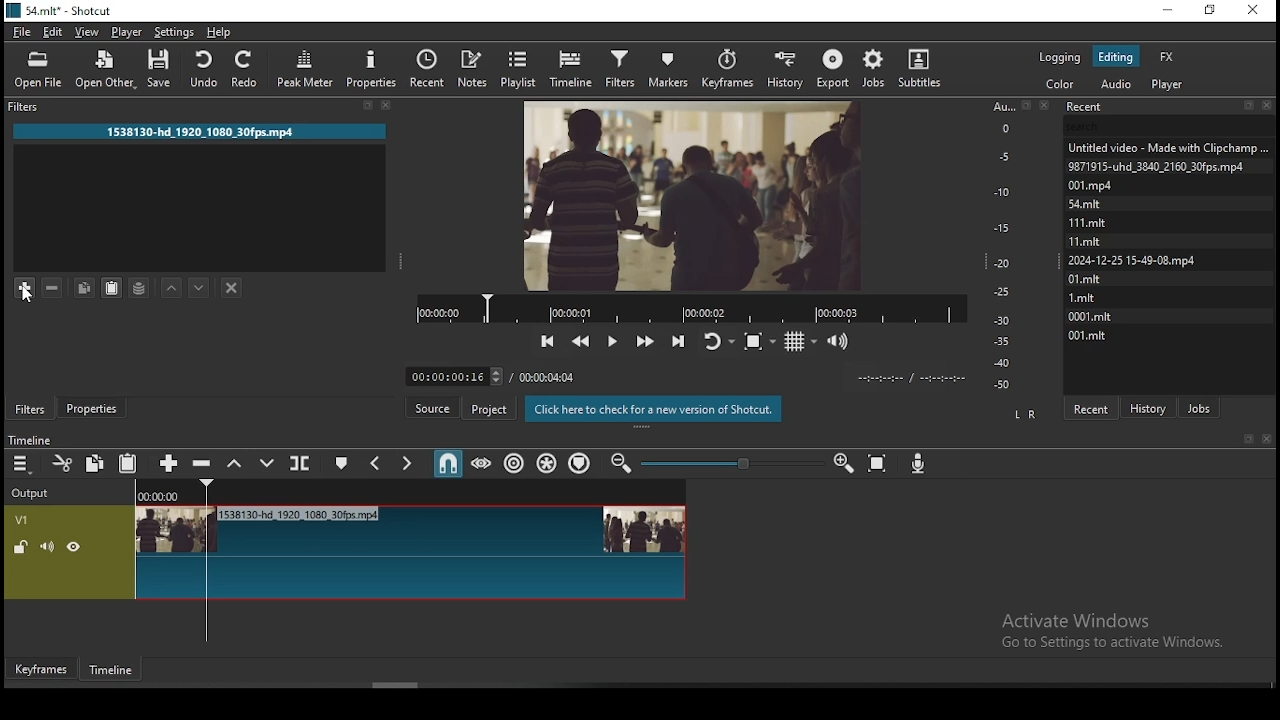 The width and height of the screenshot is (1280, 720). I want to click on view, so click(89, 32).